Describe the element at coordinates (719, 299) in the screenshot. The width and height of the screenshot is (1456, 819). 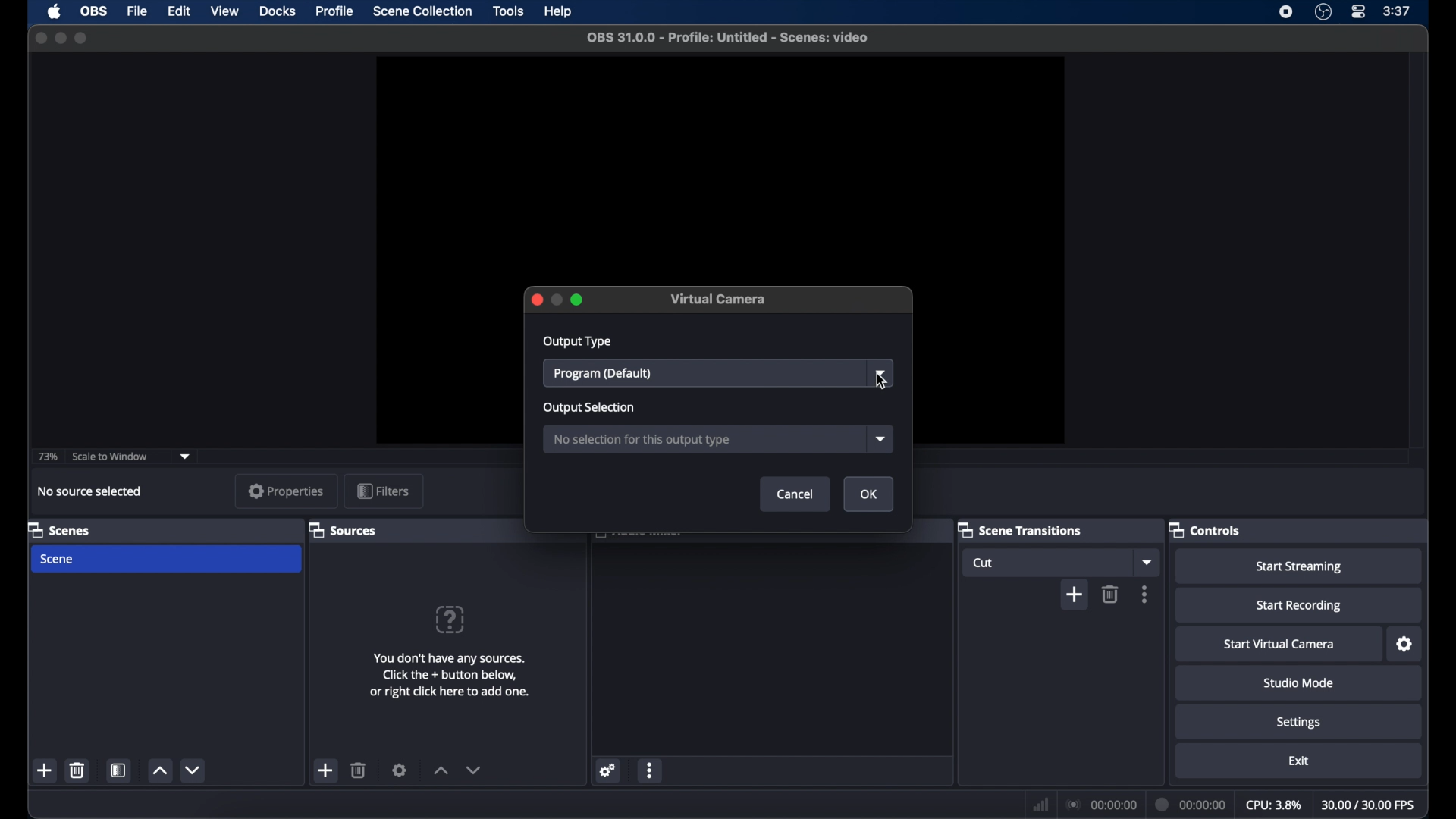
I see `virtual camera` at that location.